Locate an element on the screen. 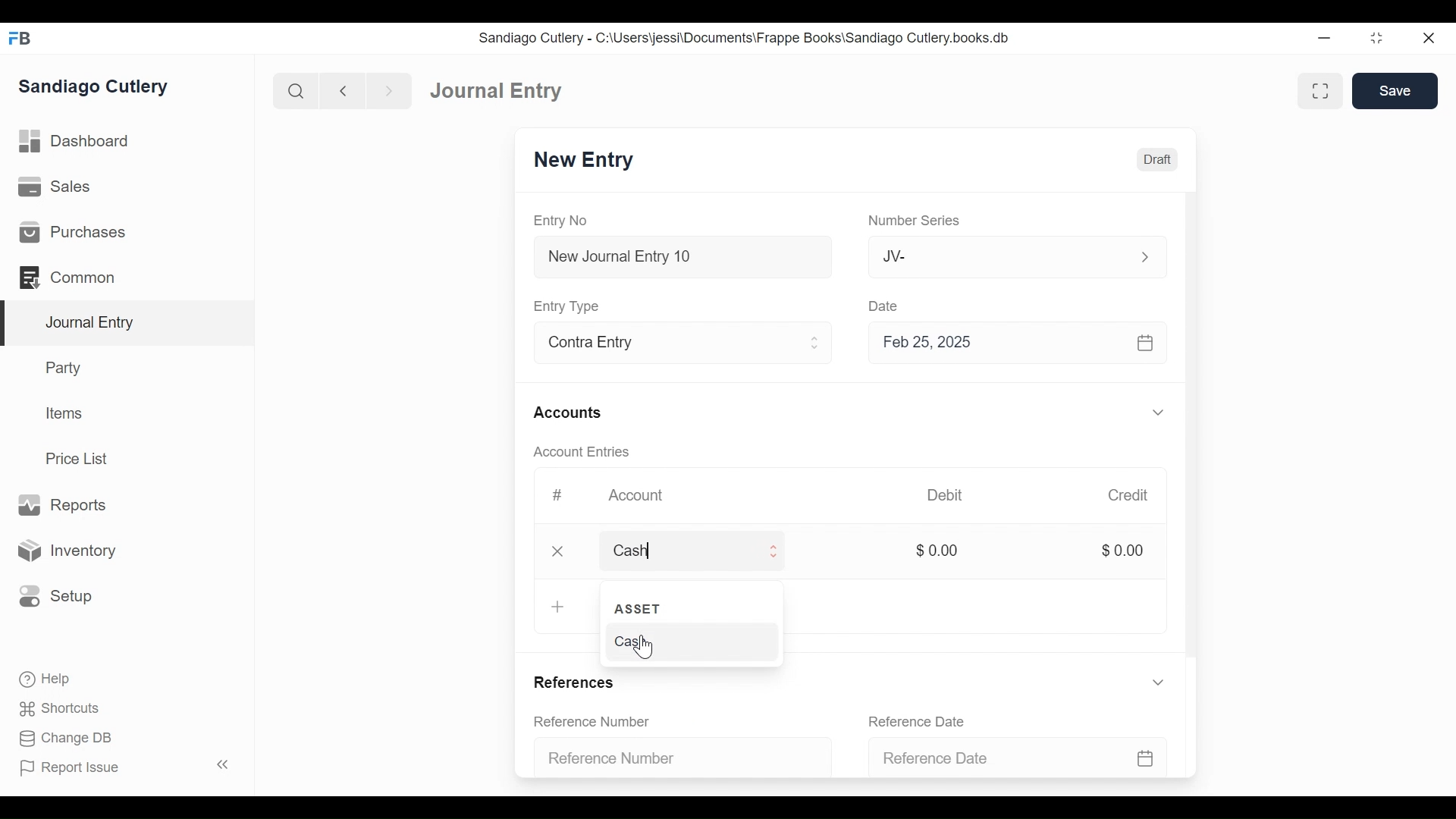  Reference Date is located at coordinates (922, 720).